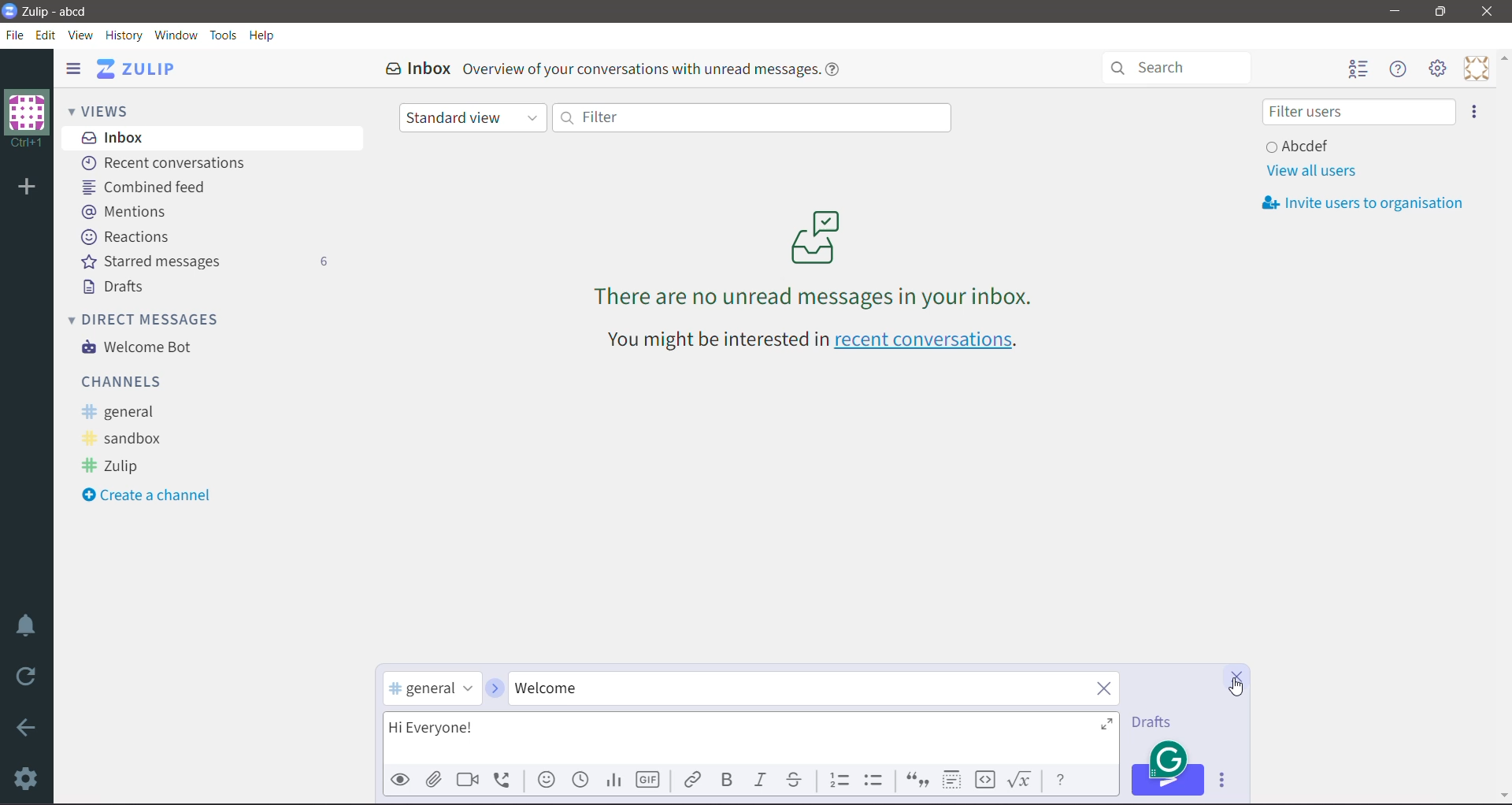  I want to click on Cancel Compose, so click(1236, 678).